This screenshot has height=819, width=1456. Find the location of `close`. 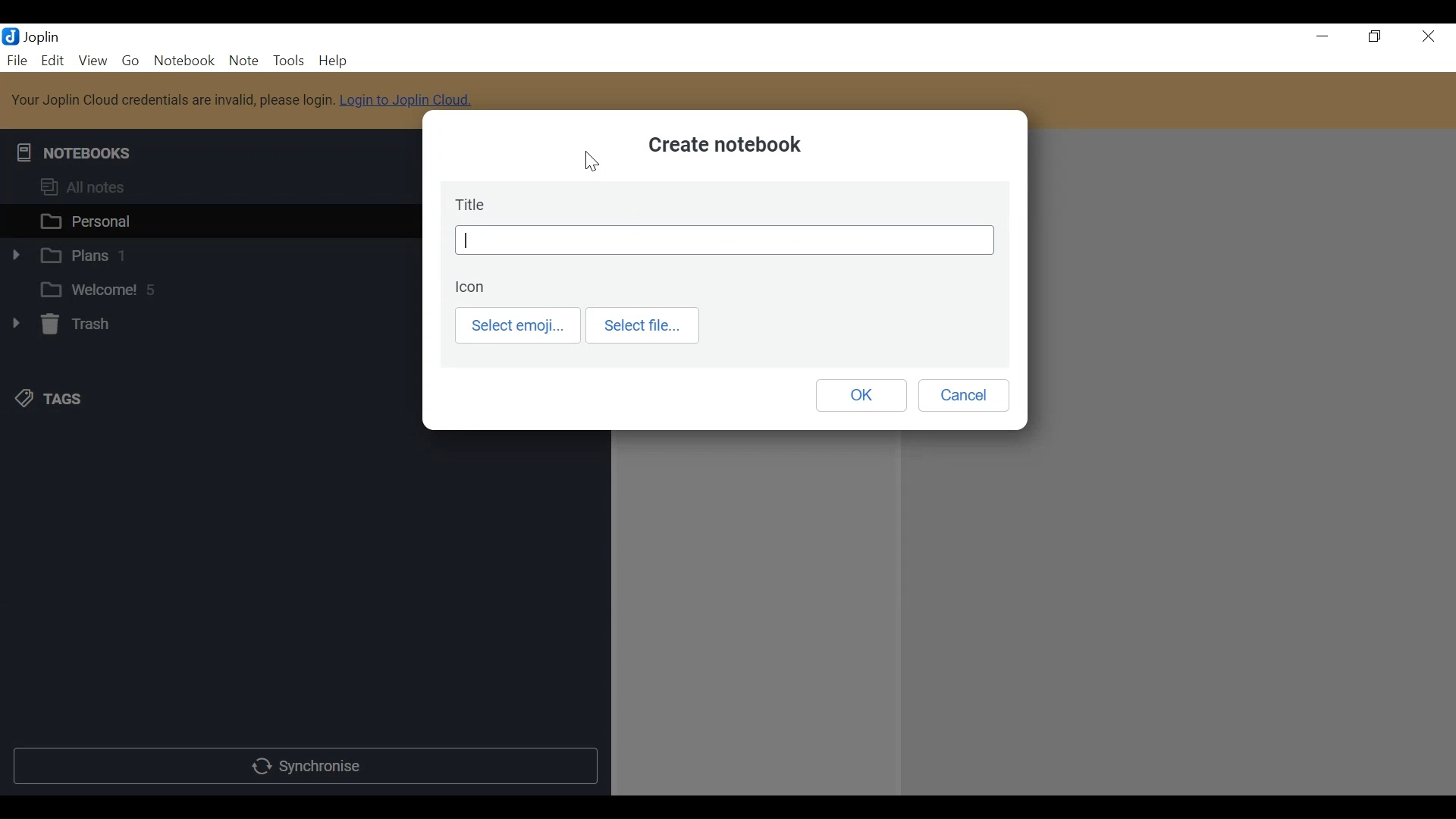

close is located at coordinates (1428, 37).